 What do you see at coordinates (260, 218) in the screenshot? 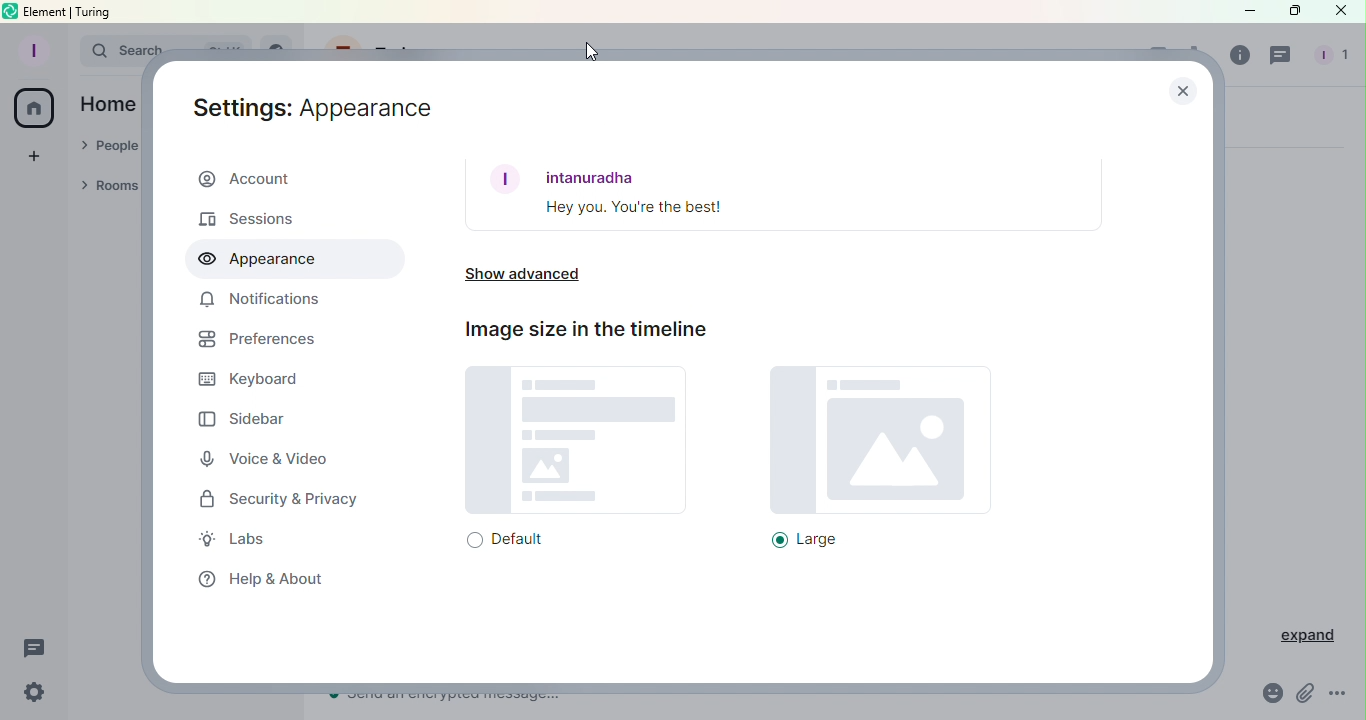
I see `Sessions` at bounding box center [260, 218].